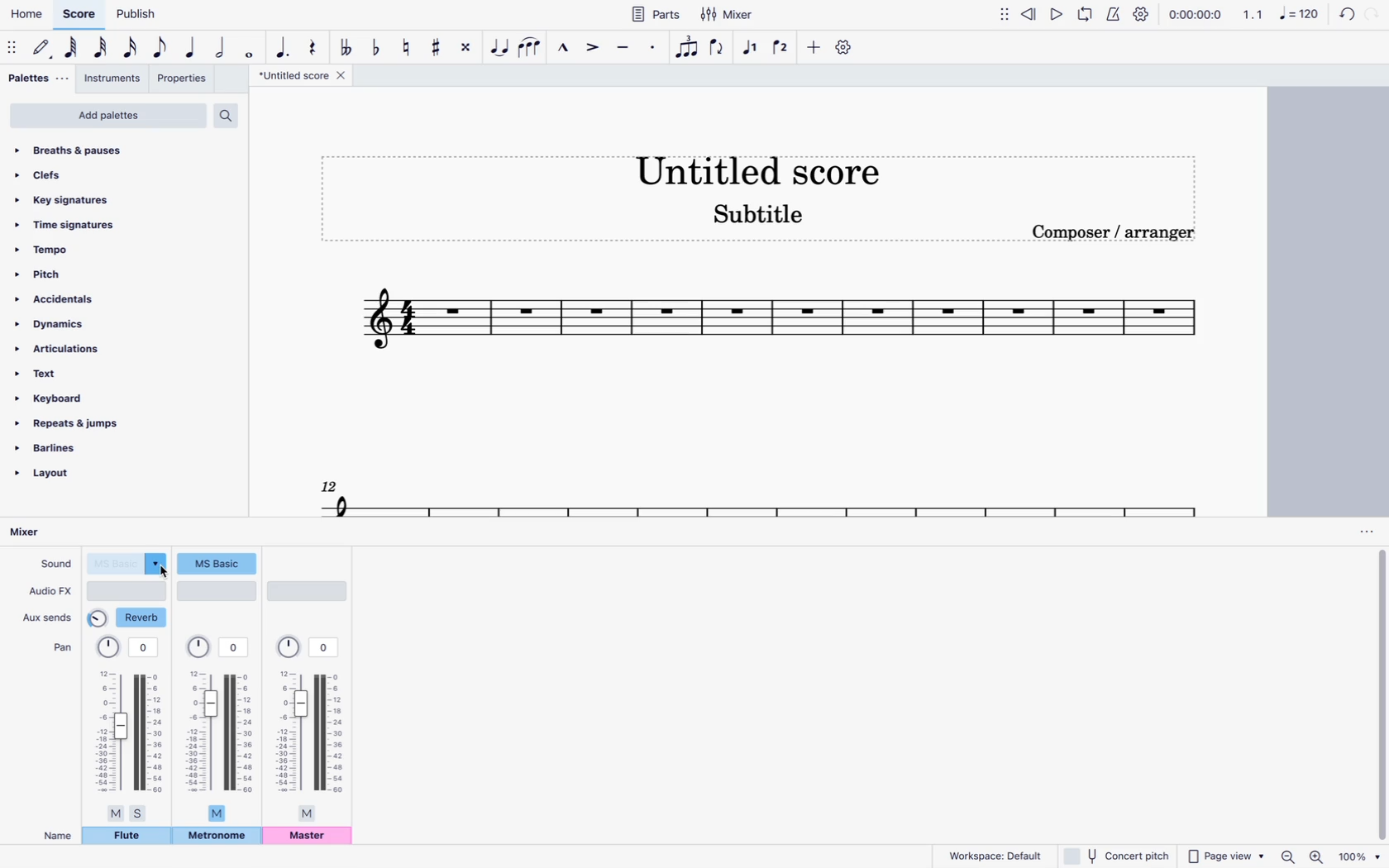 This screenshot has width=1389, height=868. Describe the element at coordinates (1115, 231) in the screenshot. I see `composer / arranger` at that location.